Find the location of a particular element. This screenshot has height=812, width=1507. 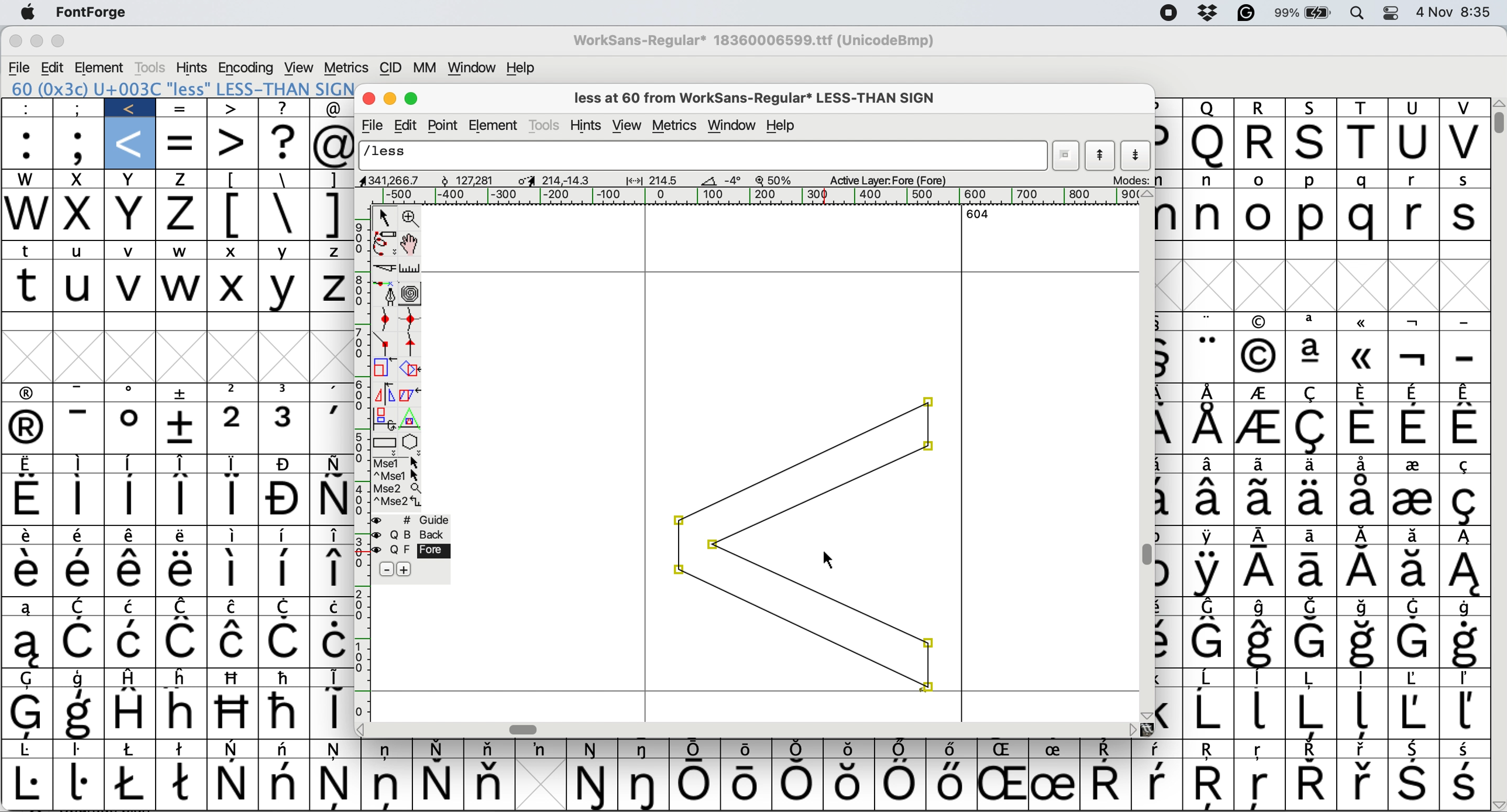

Symbol is located at coordinates (1104, 781).